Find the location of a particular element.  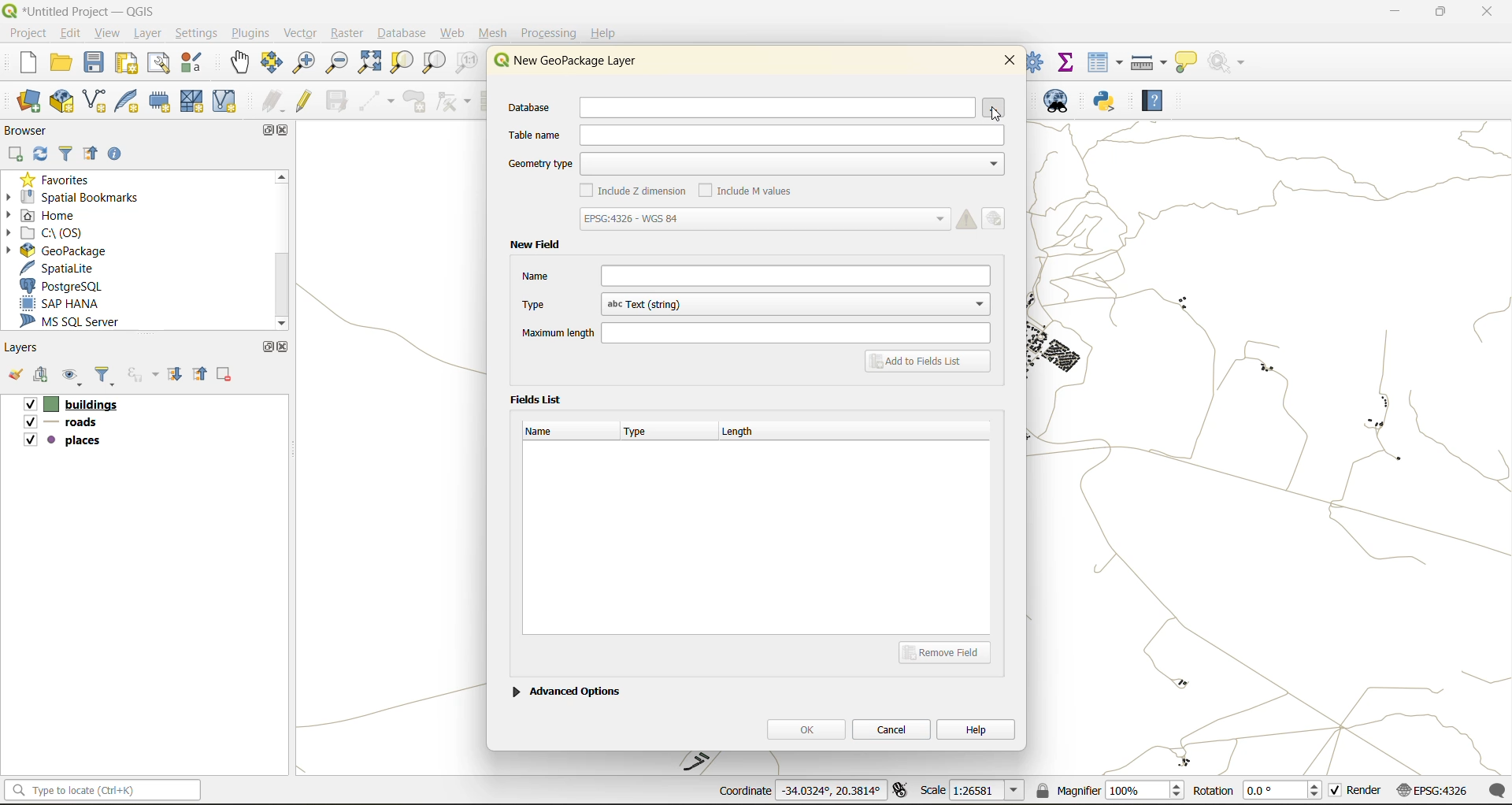

database is located at coordinates (406, 35).